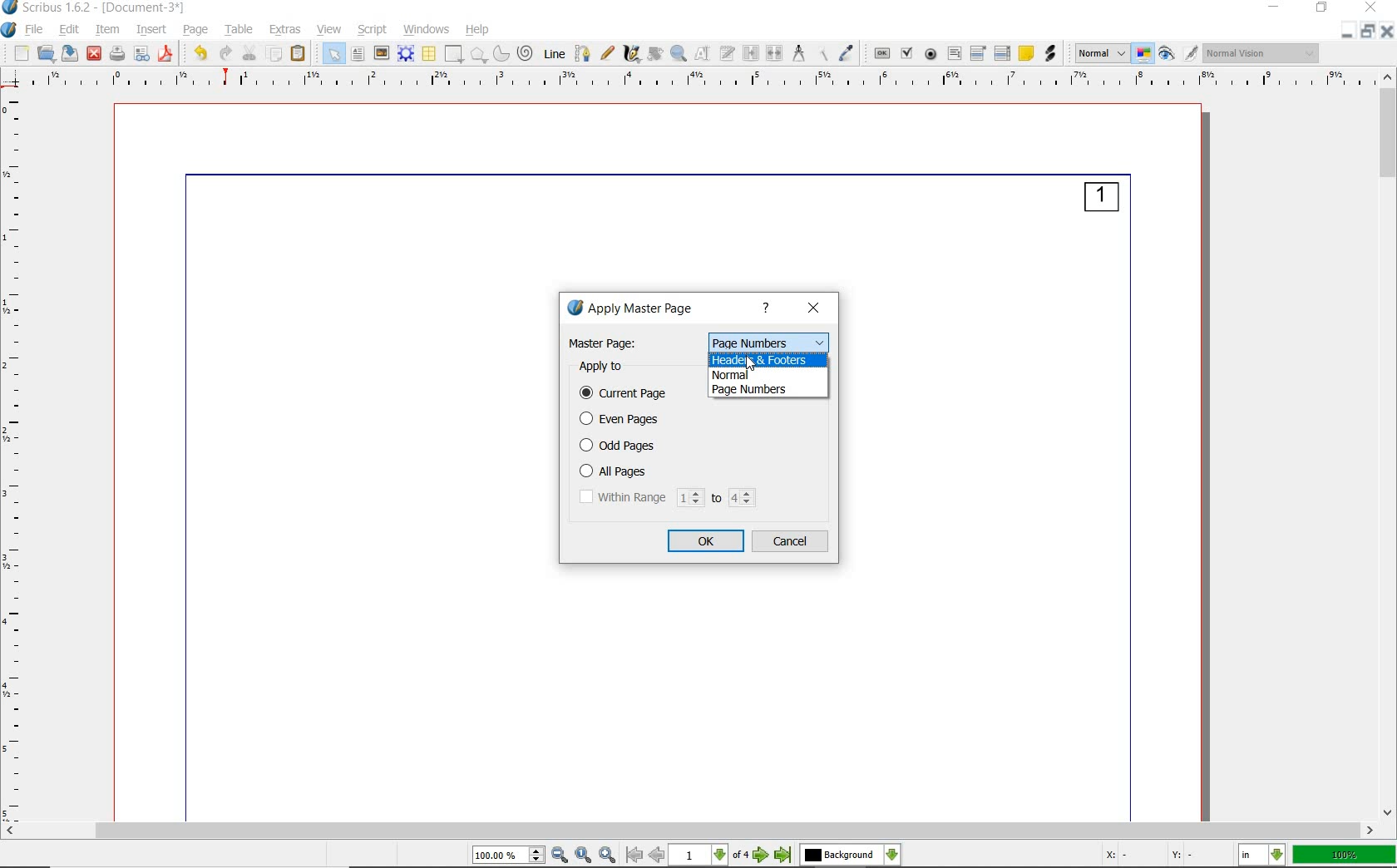 The width and height of the screenshot is (1397, 868). Describe the element at coordinates (20, 457) in the screenshot. I see `ruler` at that location.